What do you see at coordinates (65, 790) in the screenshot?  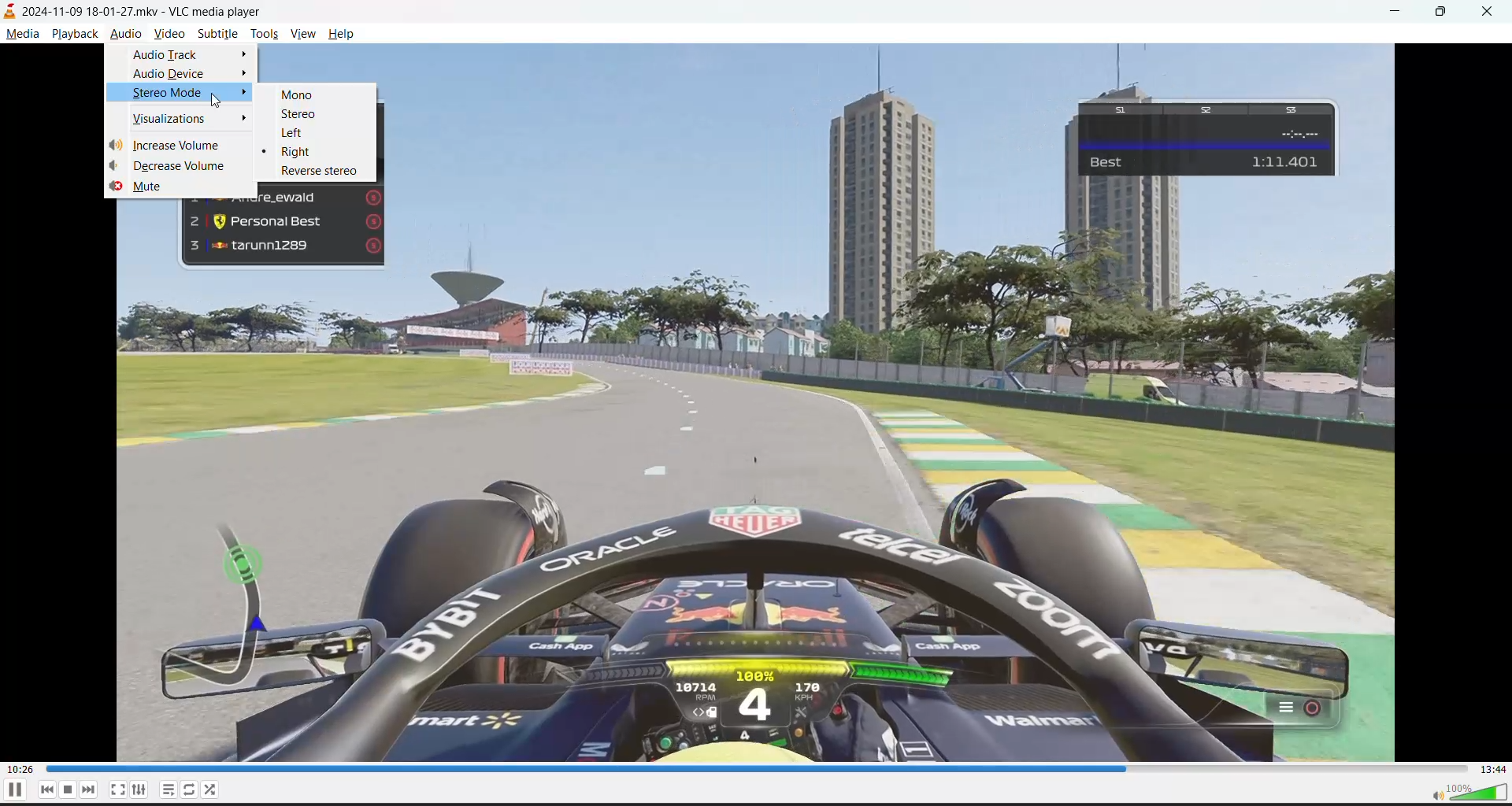 I see `stop` at bounding box center [65, 790].